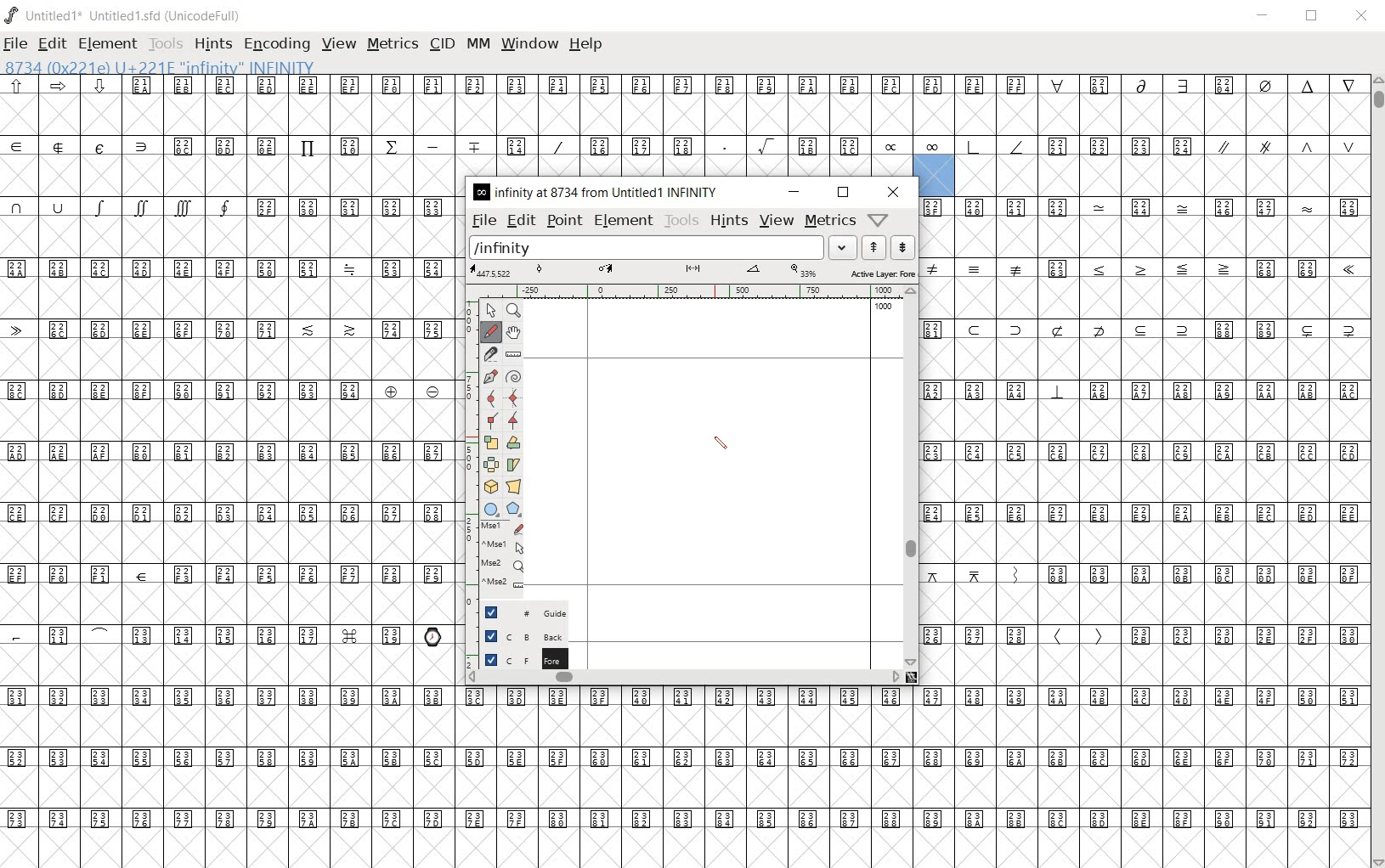  Describe the element at coordinates (691, 848) in the screenshot. I see `edited glyph` at that location.